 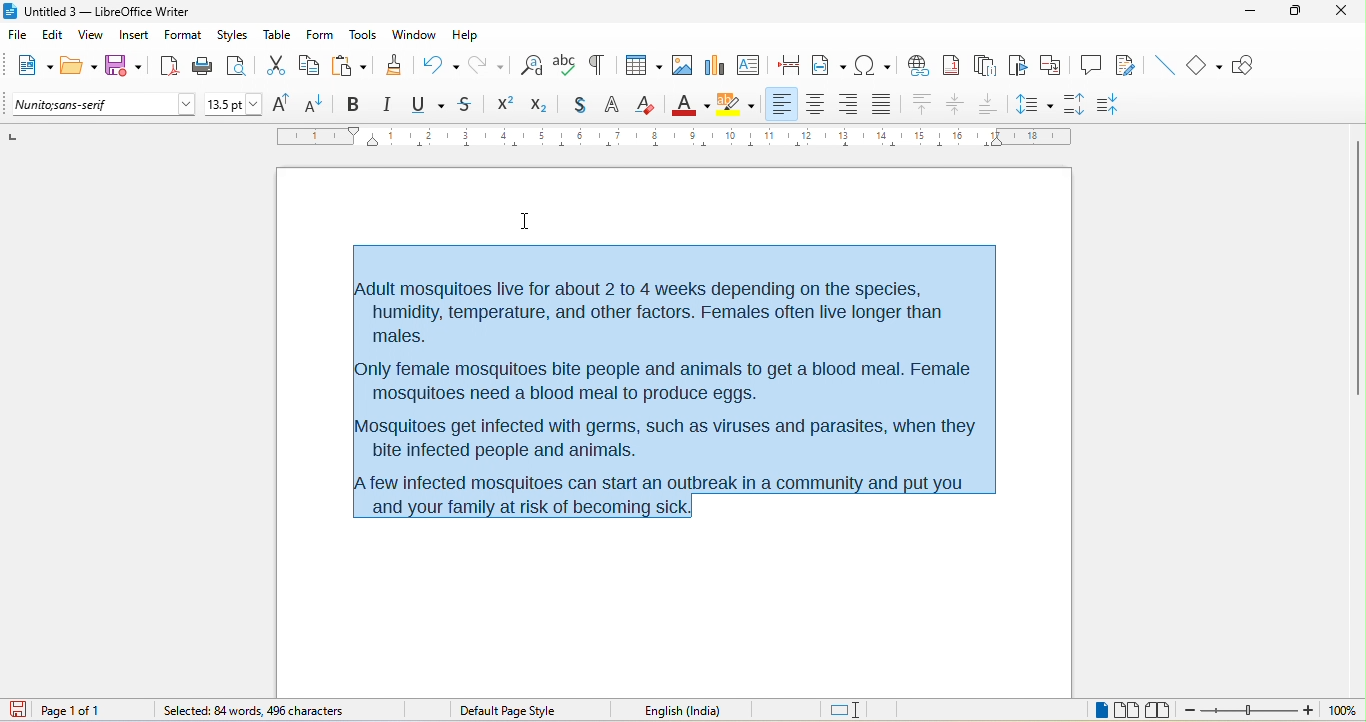 What do you see at coordinates (393, 64) in the screenshot?
I see `clone formatting` at bounding box center [393, 64].